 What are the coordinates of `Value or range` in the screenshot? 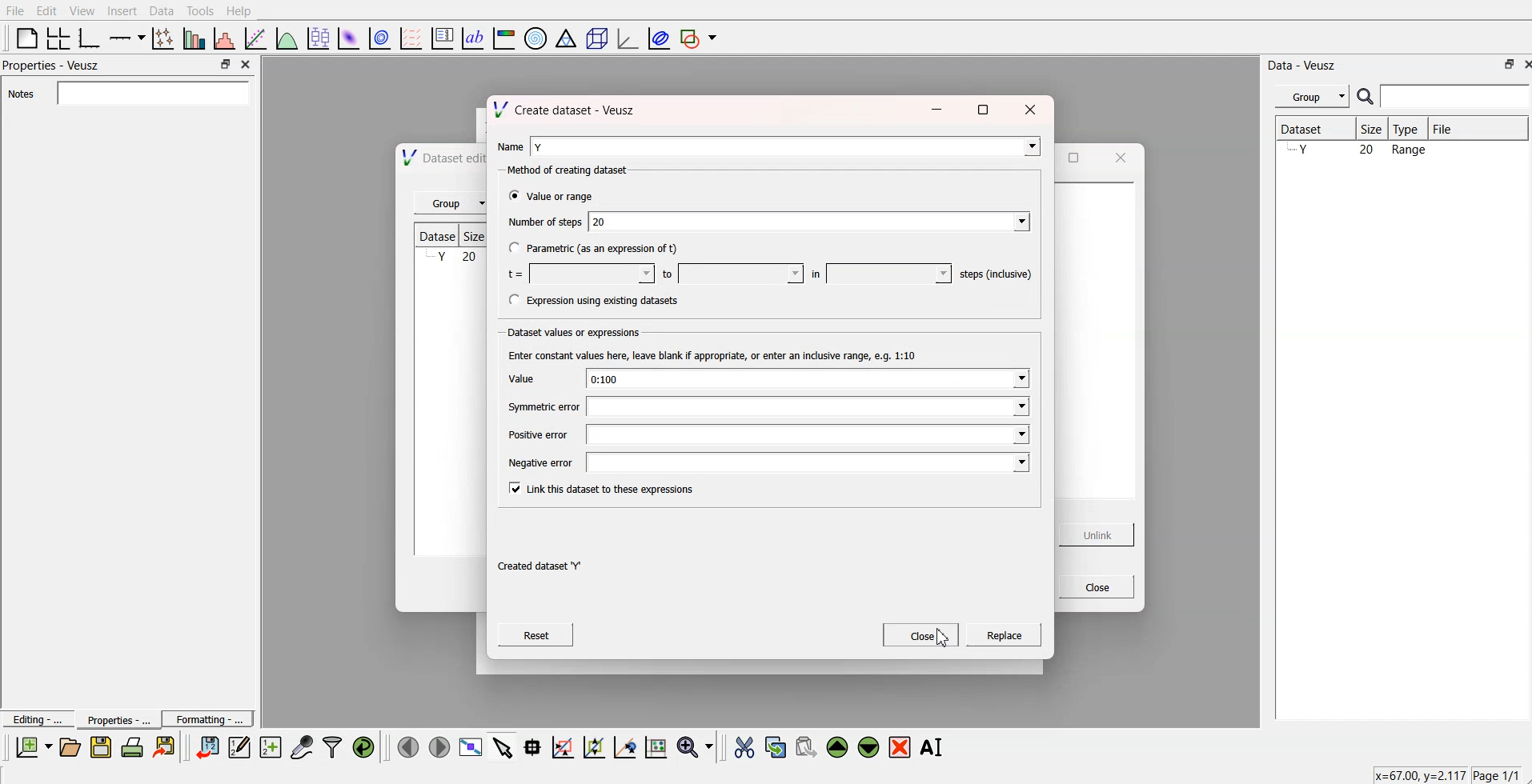 It's located at (551, 196).